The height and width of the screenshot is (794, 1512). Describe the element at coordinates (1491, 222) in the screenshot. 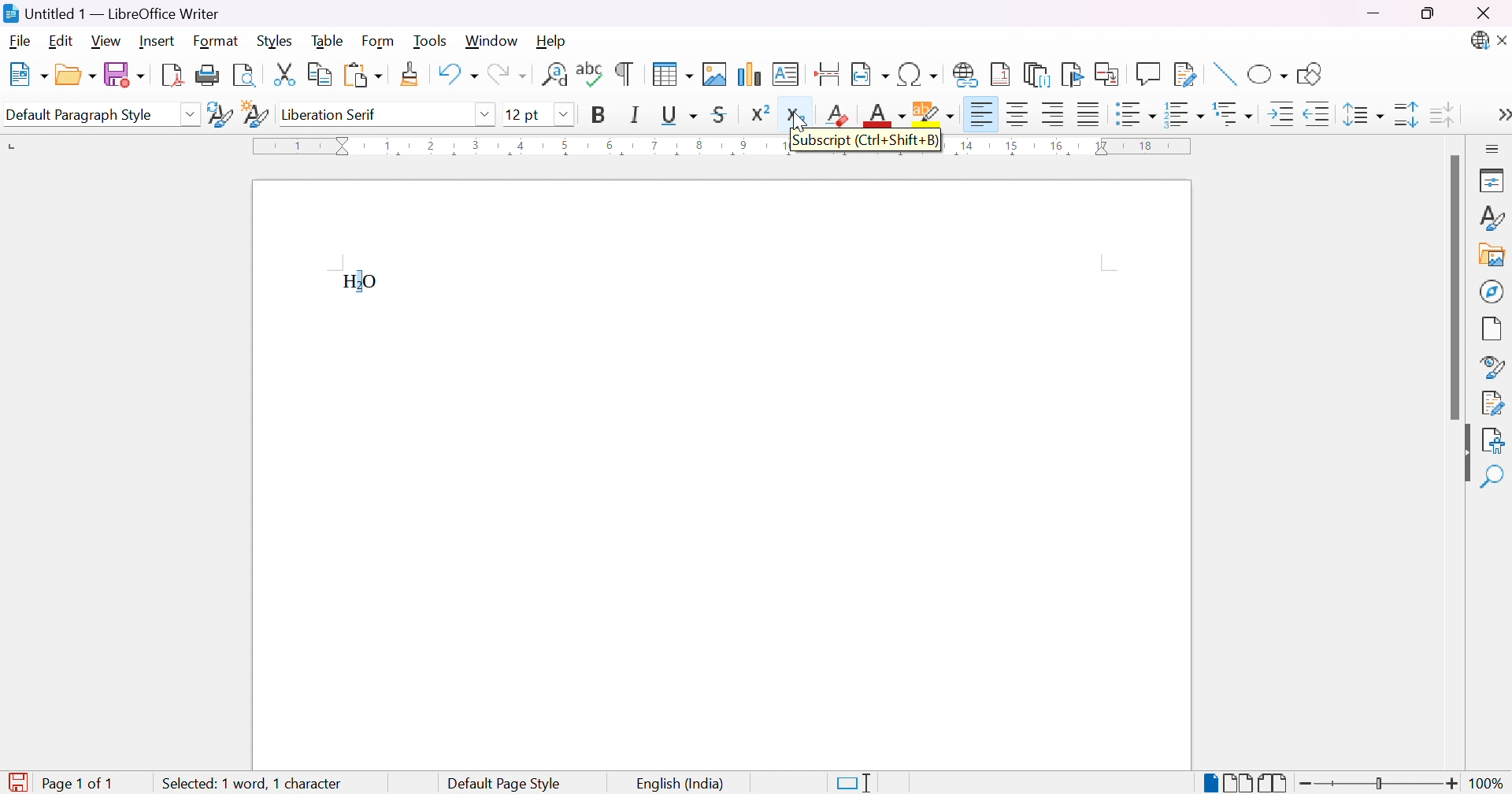

I see `Styles` at that location.